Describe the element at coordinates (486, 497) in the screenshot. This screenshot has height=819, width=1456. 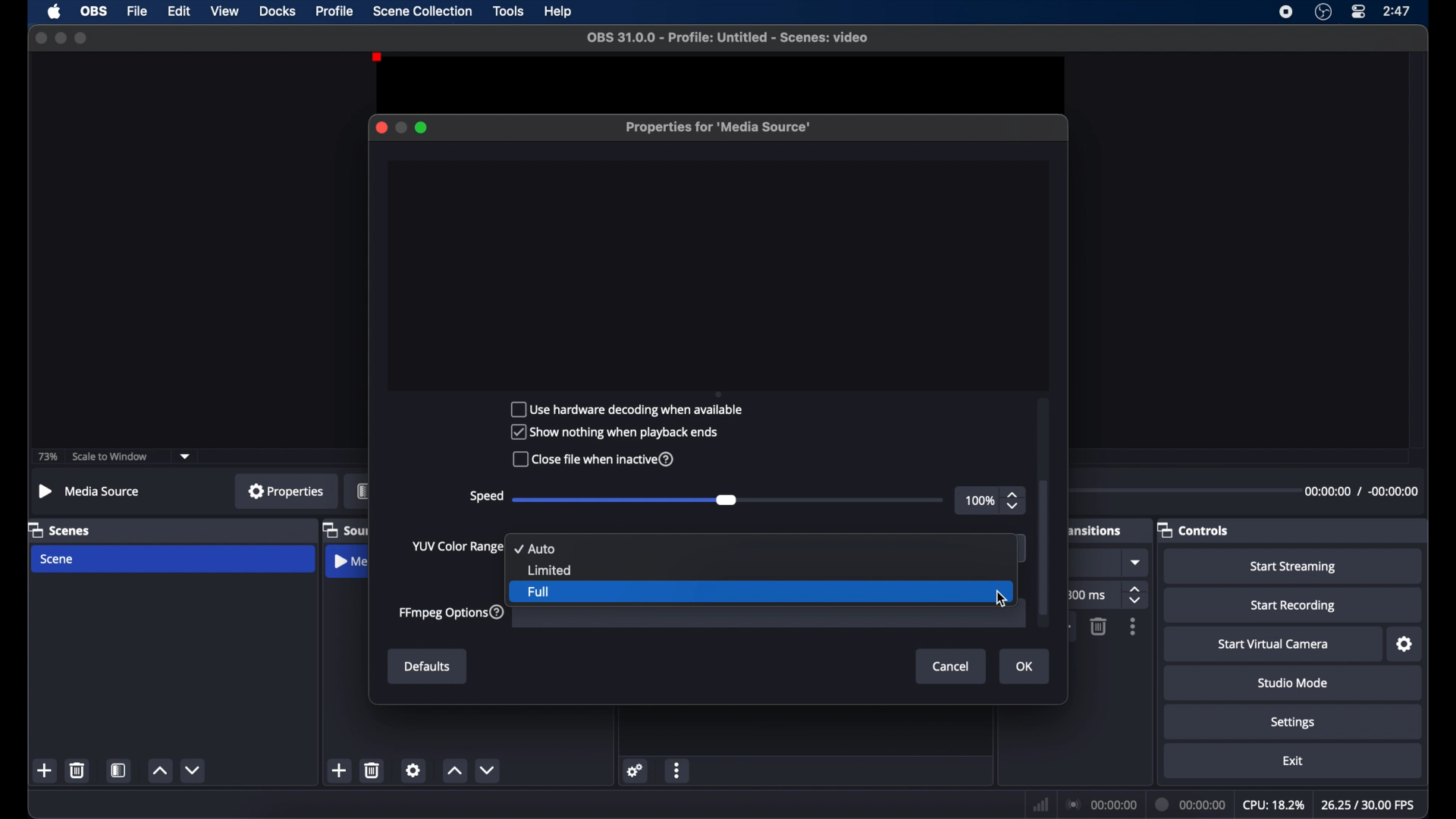
I see `speed` at that location.